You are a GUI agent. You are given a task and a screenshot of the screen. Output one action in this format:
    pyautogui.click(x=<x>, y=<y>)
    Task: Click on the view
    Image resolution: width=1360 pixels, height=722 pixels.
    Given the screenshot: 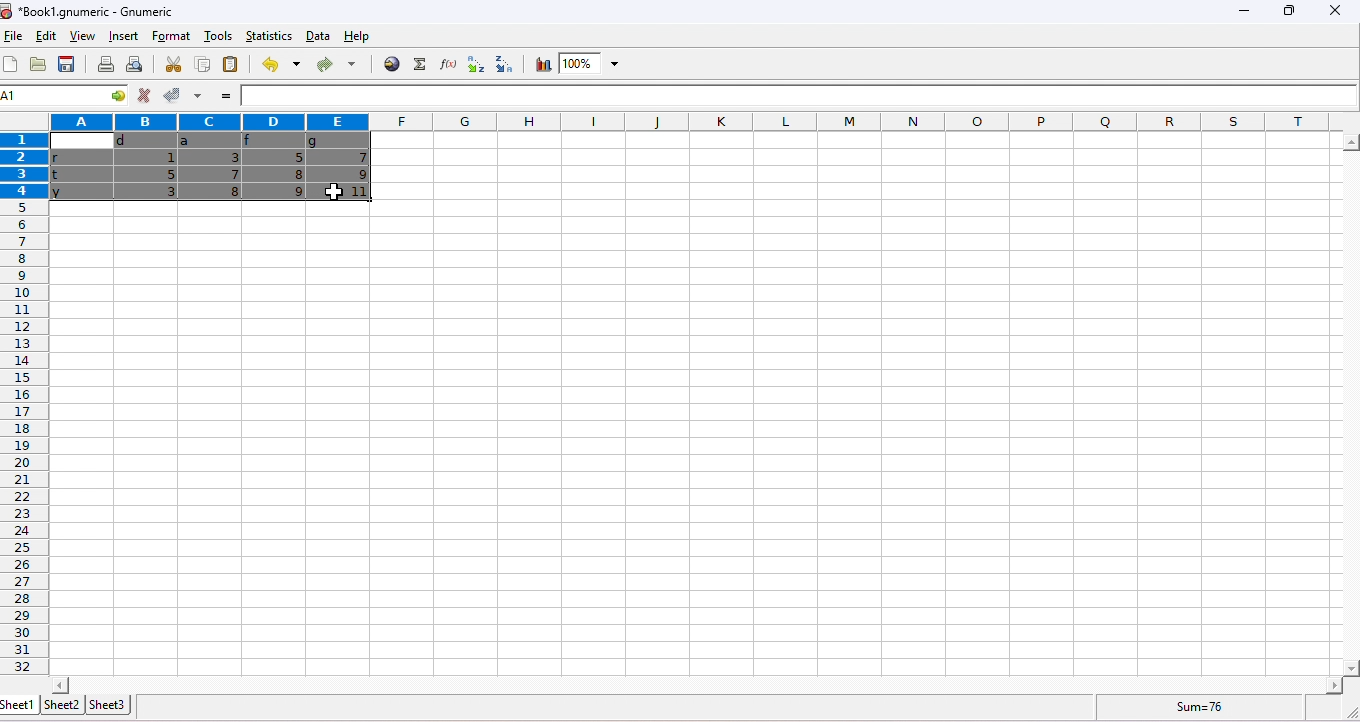 What is the action you would take?
    pyautogui.click(x=80, y=38)
    